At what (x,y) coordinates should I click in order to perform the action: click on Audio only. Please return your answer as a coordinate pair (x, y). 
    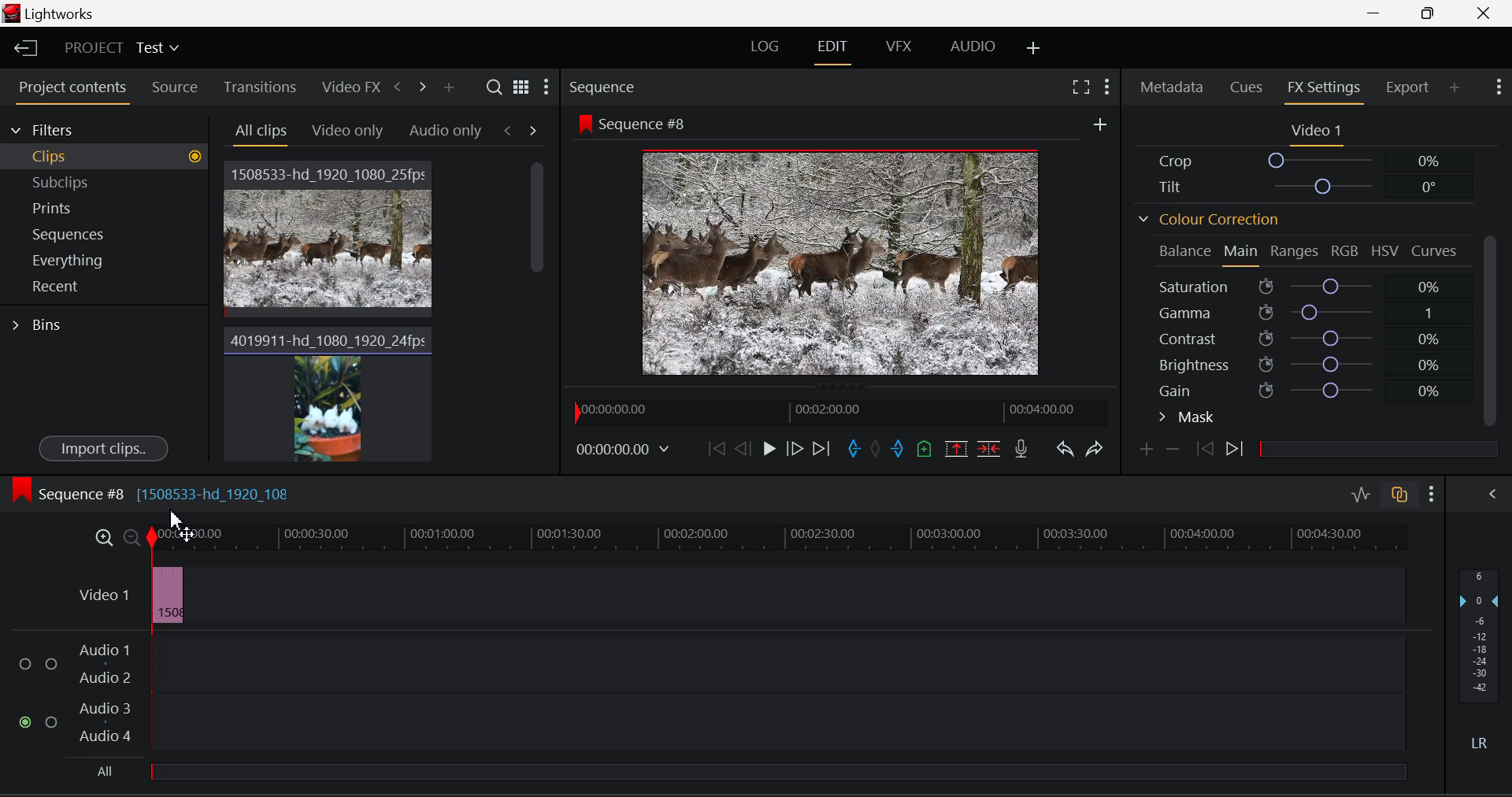
    Looking at the image, I should click on (445, 132).